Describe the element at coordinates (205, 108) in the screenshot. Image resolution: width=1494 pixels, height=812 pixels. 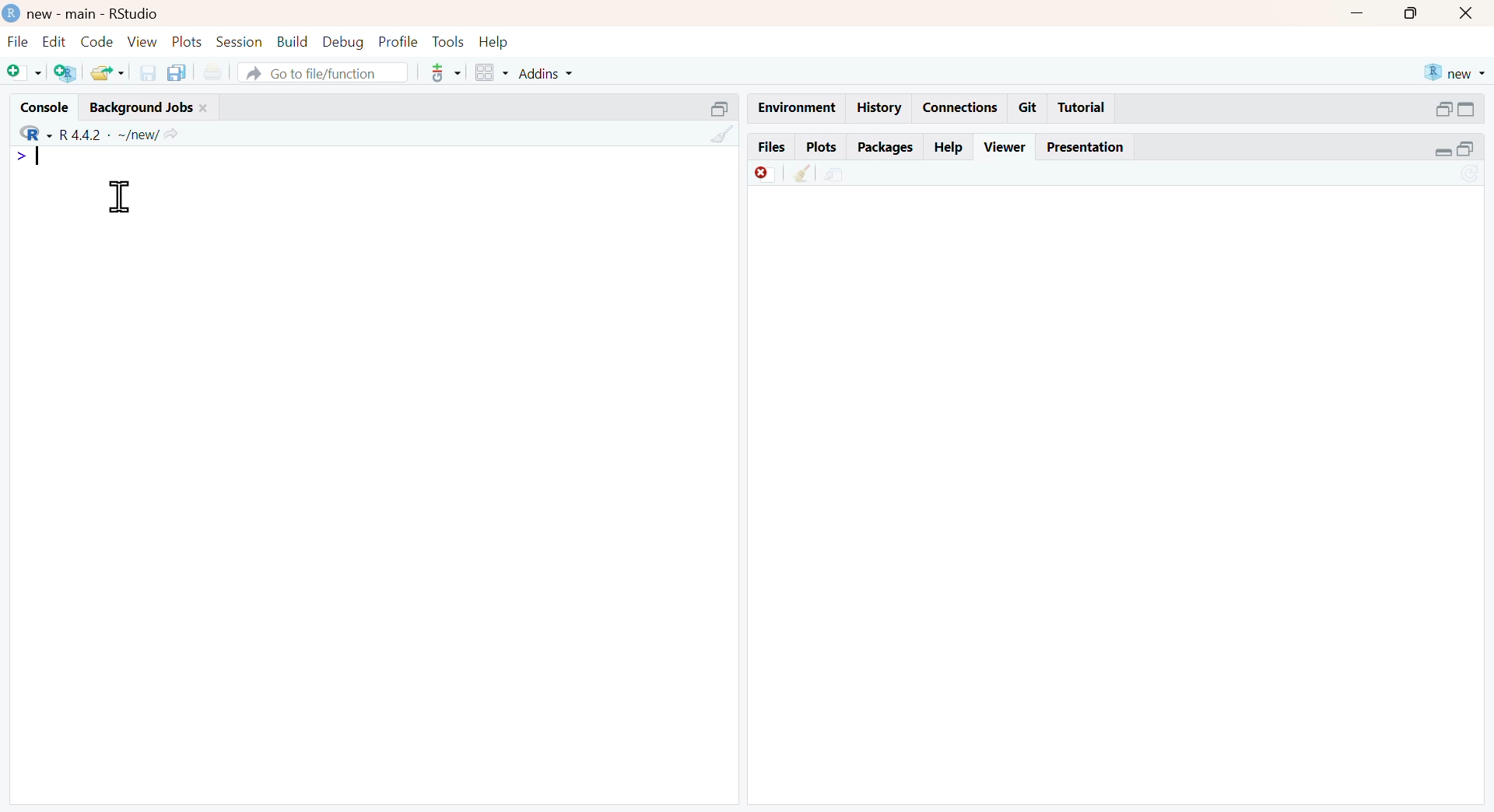
I see `close` at that location.